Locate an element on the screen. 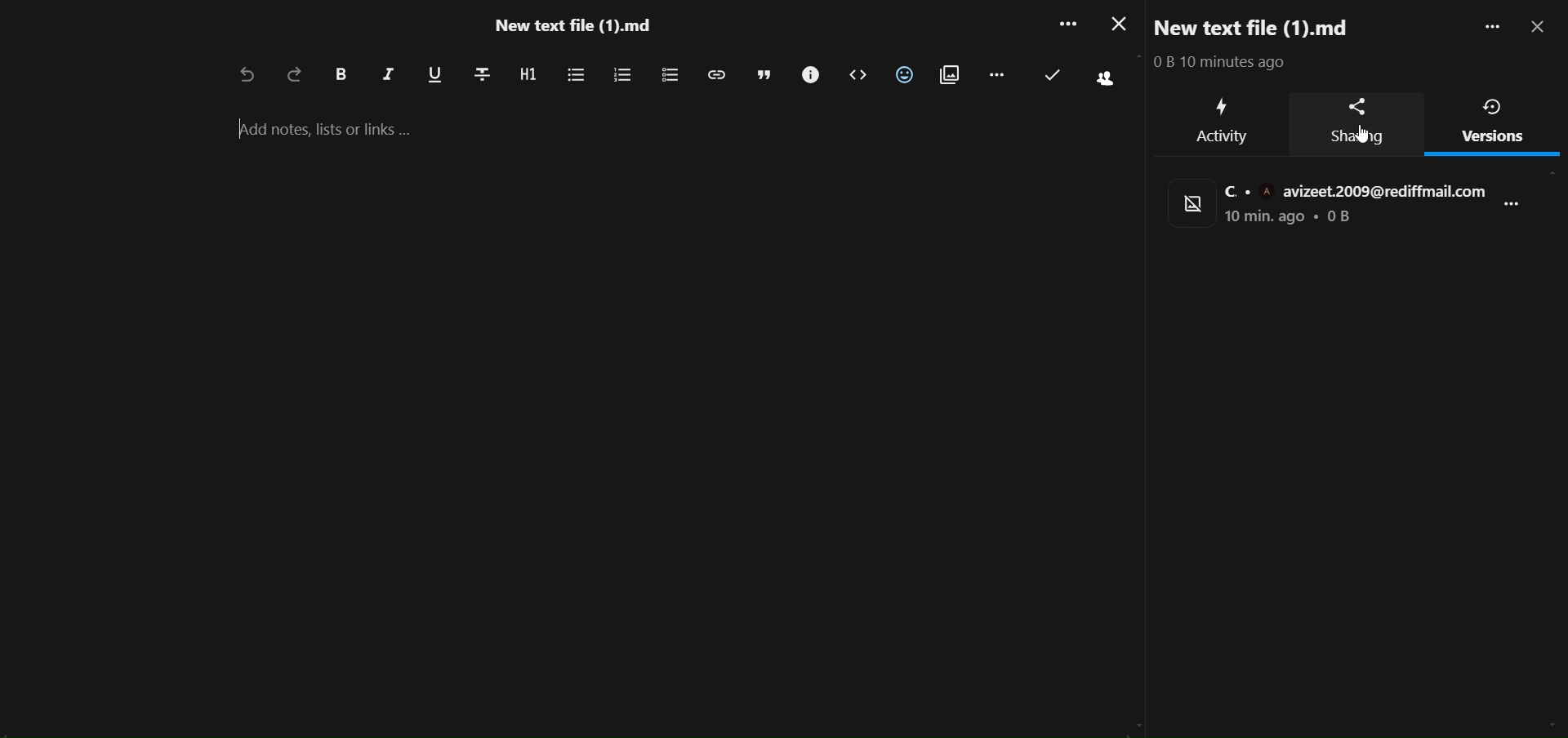  bold is located at coordinates (340, 75).